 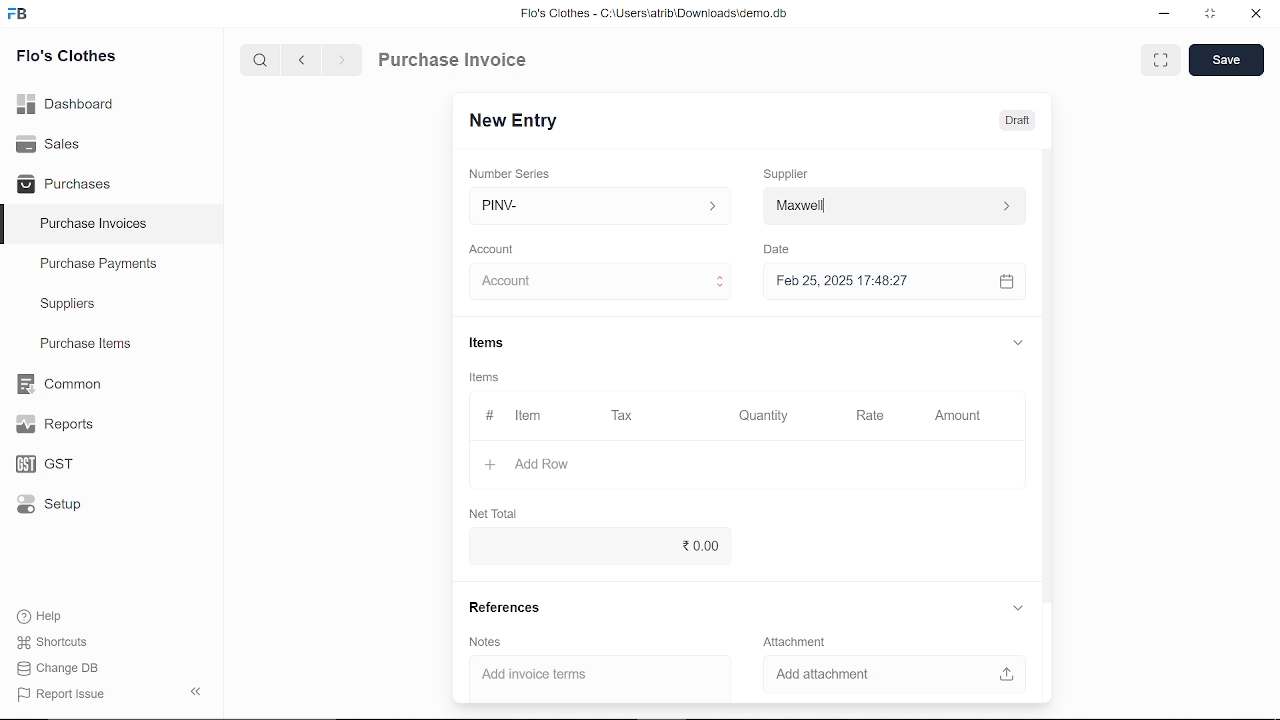 What do you see at coordinates (1162, 14) in the screenshot?
I see `minimize` at bounding box center [1162, 14].